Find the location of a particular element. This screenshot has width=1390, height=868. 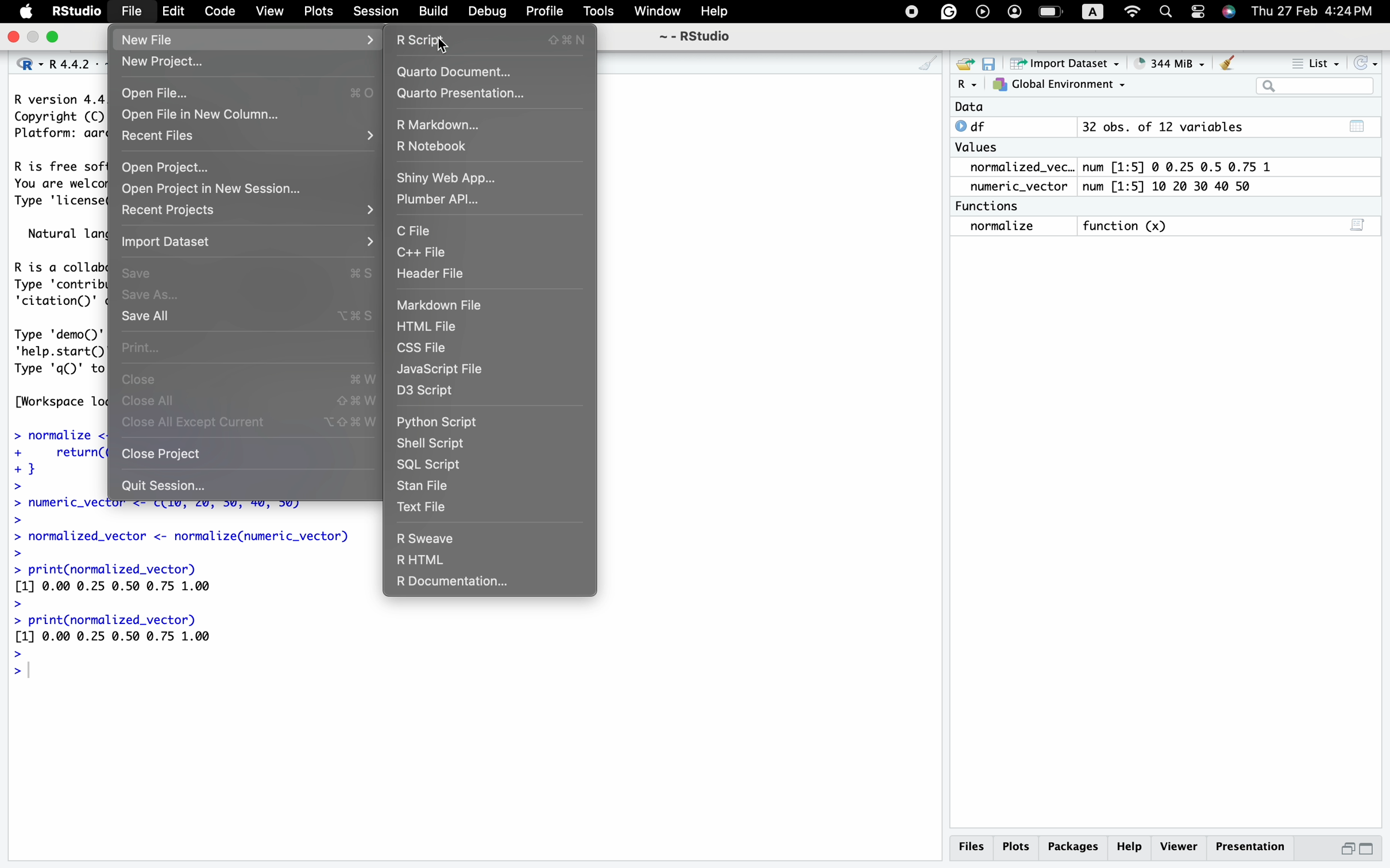

Text File is located at coordinates (421, 506).